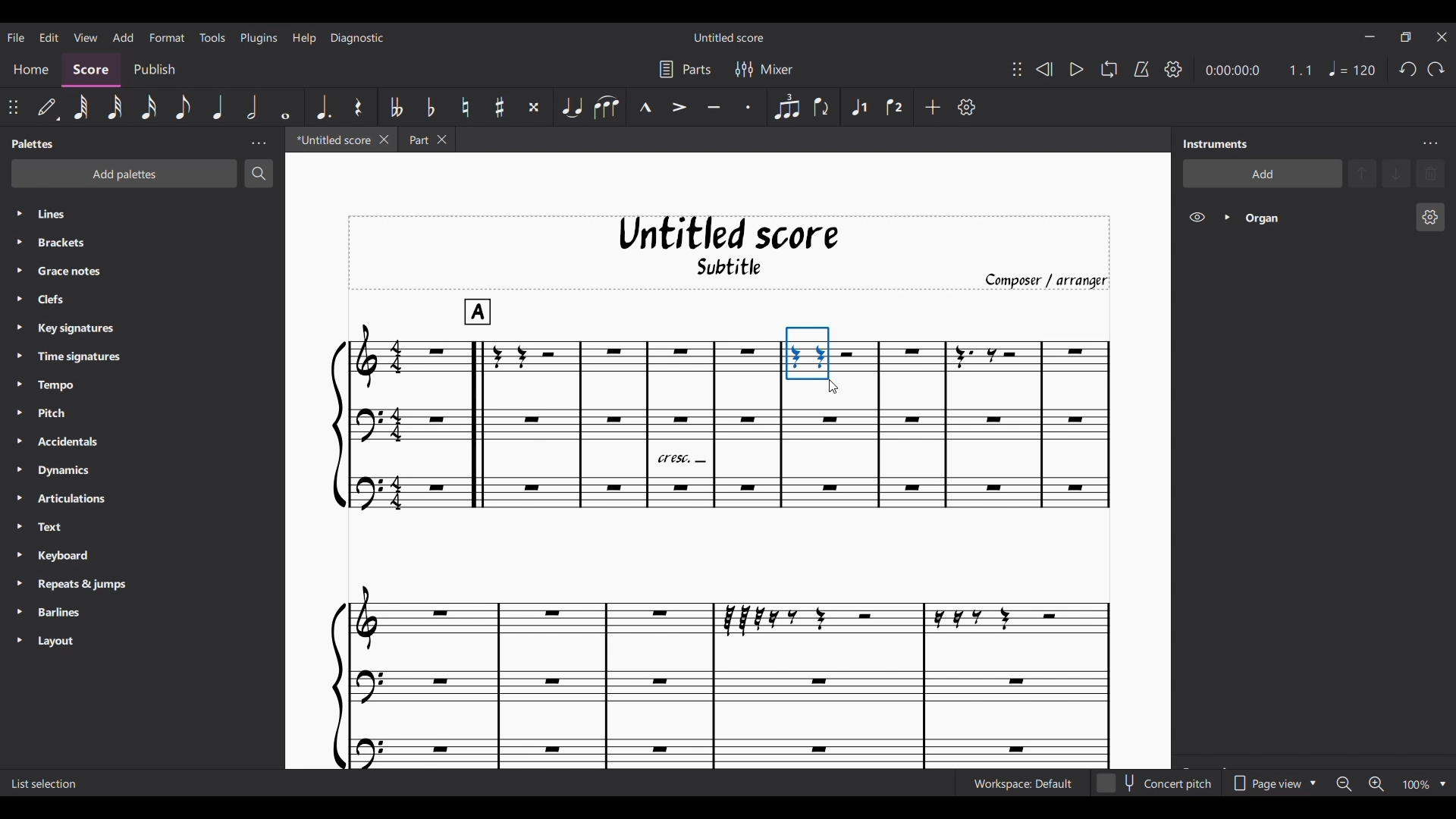  I want to click on Quarter note, so click(1351, 68).